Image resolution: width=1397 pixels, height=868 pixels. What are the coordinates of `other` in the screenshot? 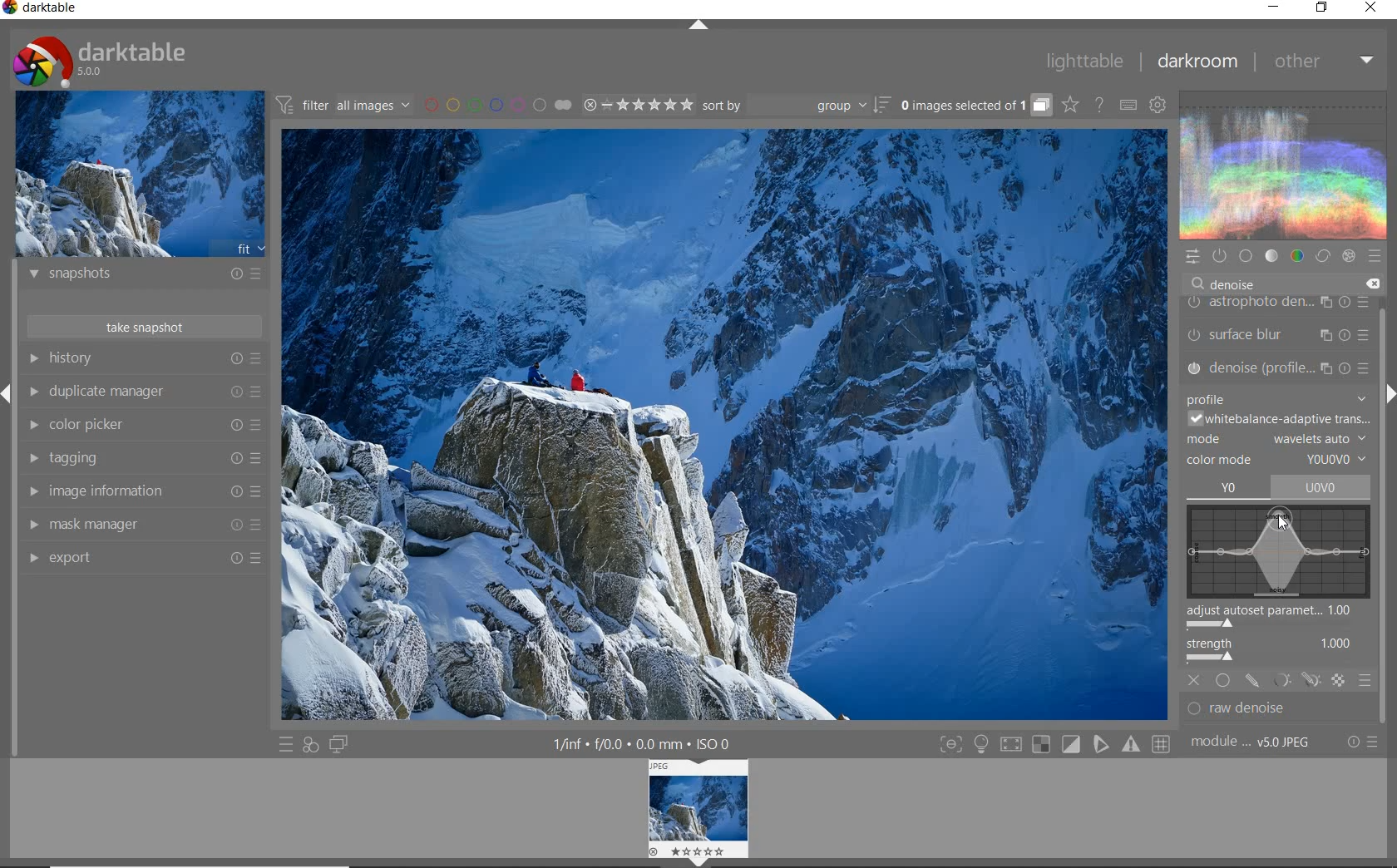 It's located at (1322, 62).